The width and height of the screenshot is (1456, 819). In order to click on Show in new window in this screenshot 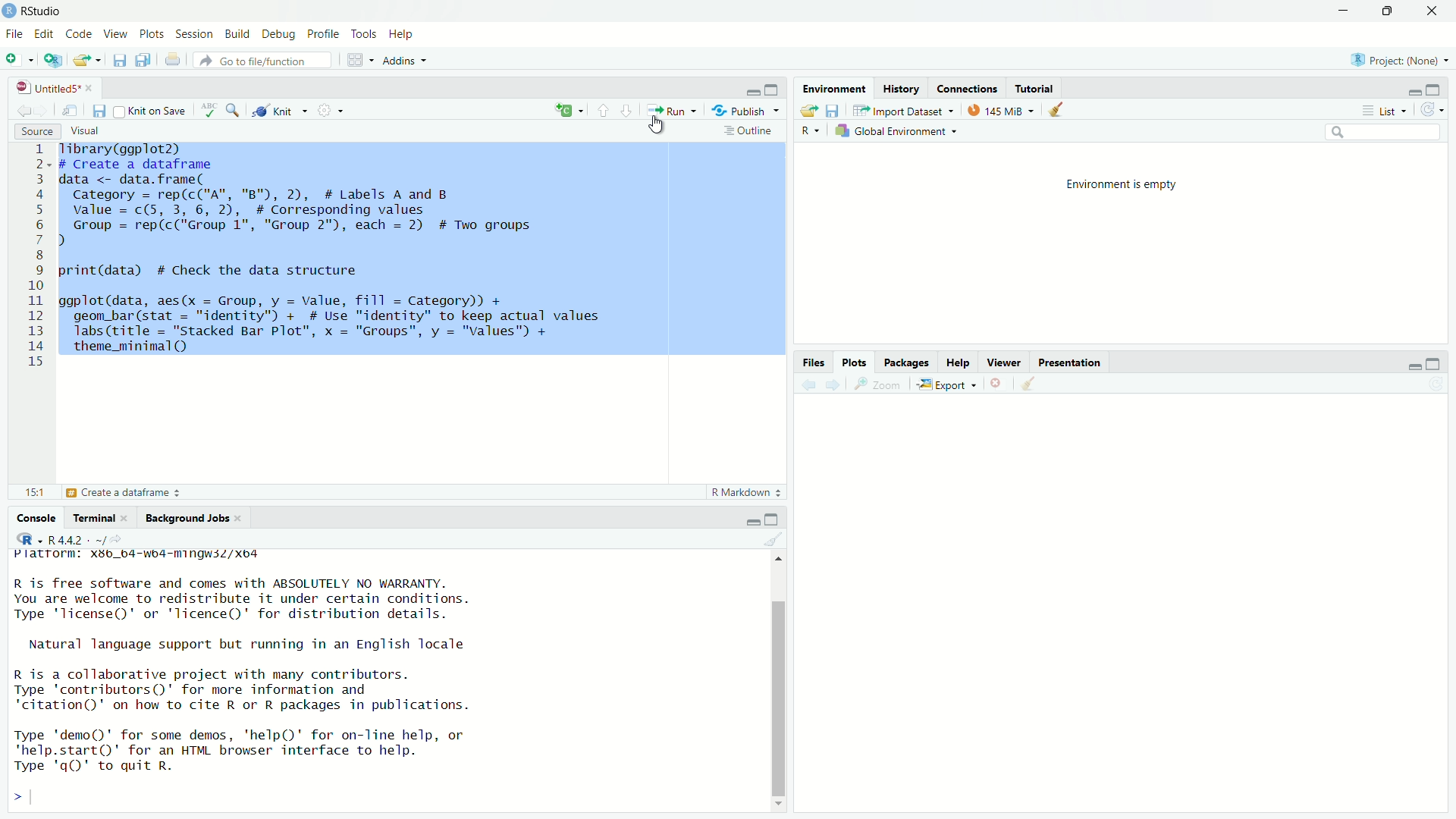, I will do `click(71, 109)`.